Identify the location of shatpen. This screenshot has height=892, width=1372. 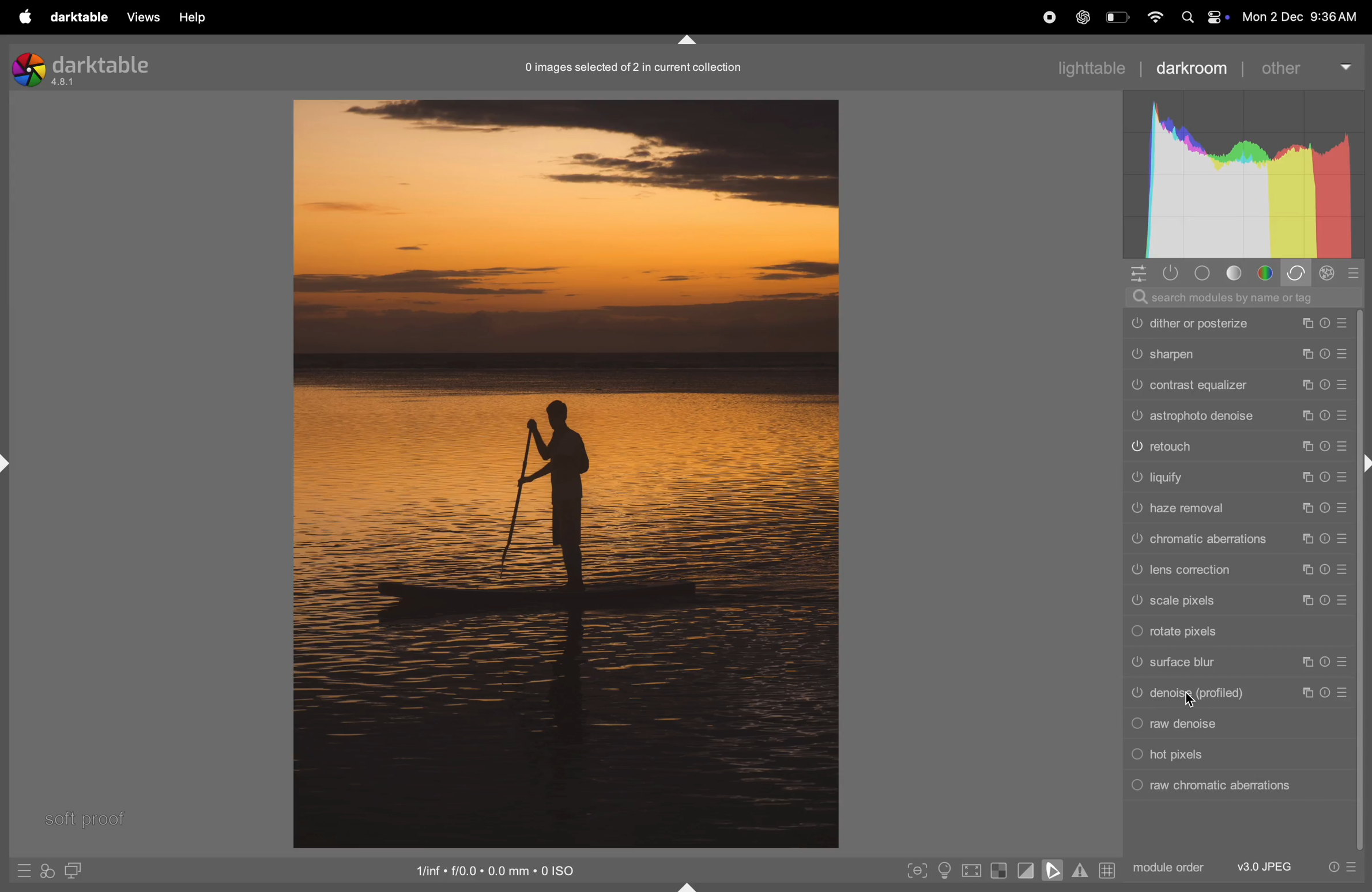
(1239, 351).